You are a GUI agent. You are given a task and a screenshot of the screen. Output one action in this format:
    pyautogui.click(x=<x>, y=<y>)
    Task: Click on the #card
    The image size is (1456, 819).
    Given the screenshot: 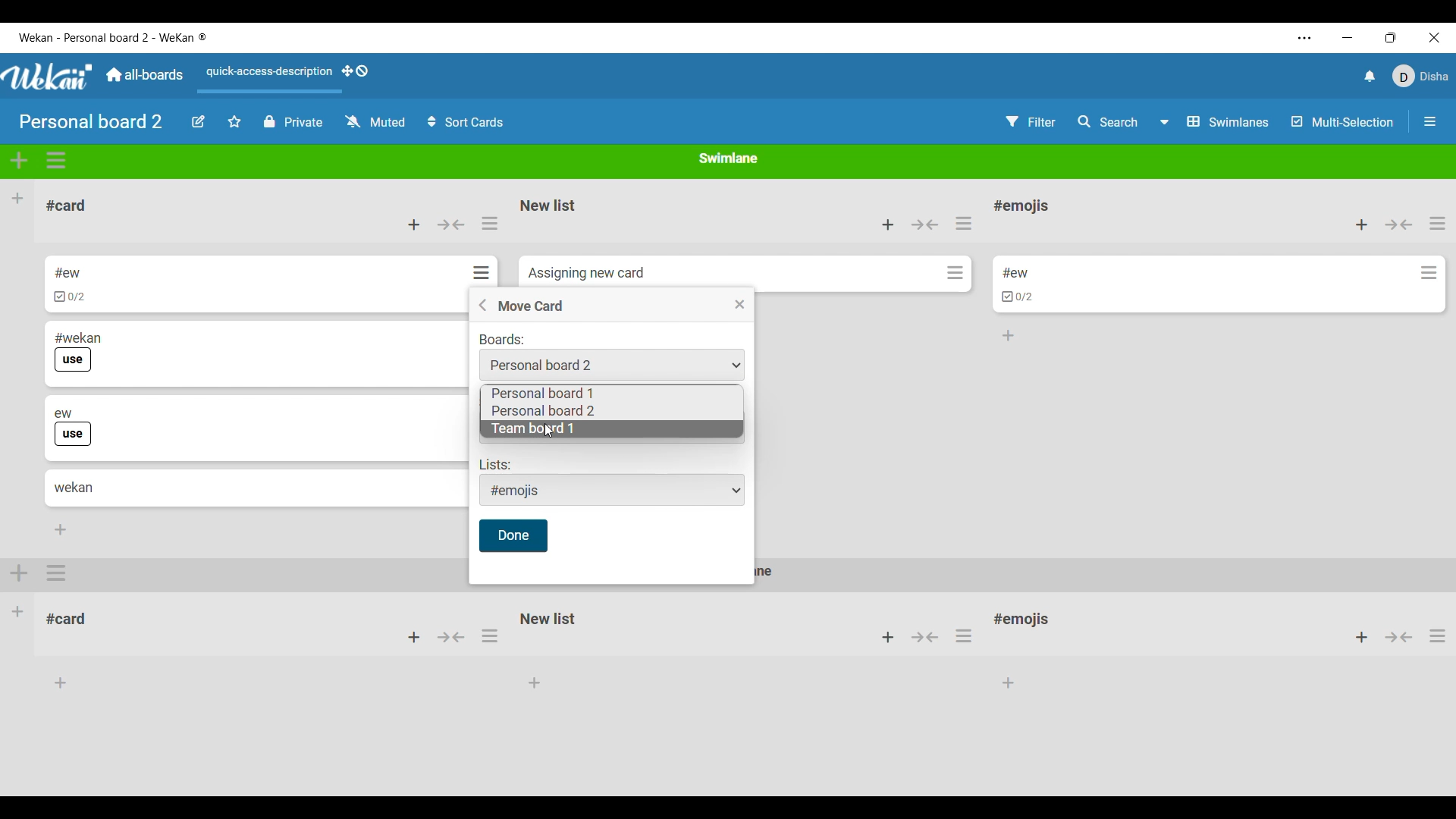 What is the action you would take?
    pyautogui.click(x=74, y=617)
    